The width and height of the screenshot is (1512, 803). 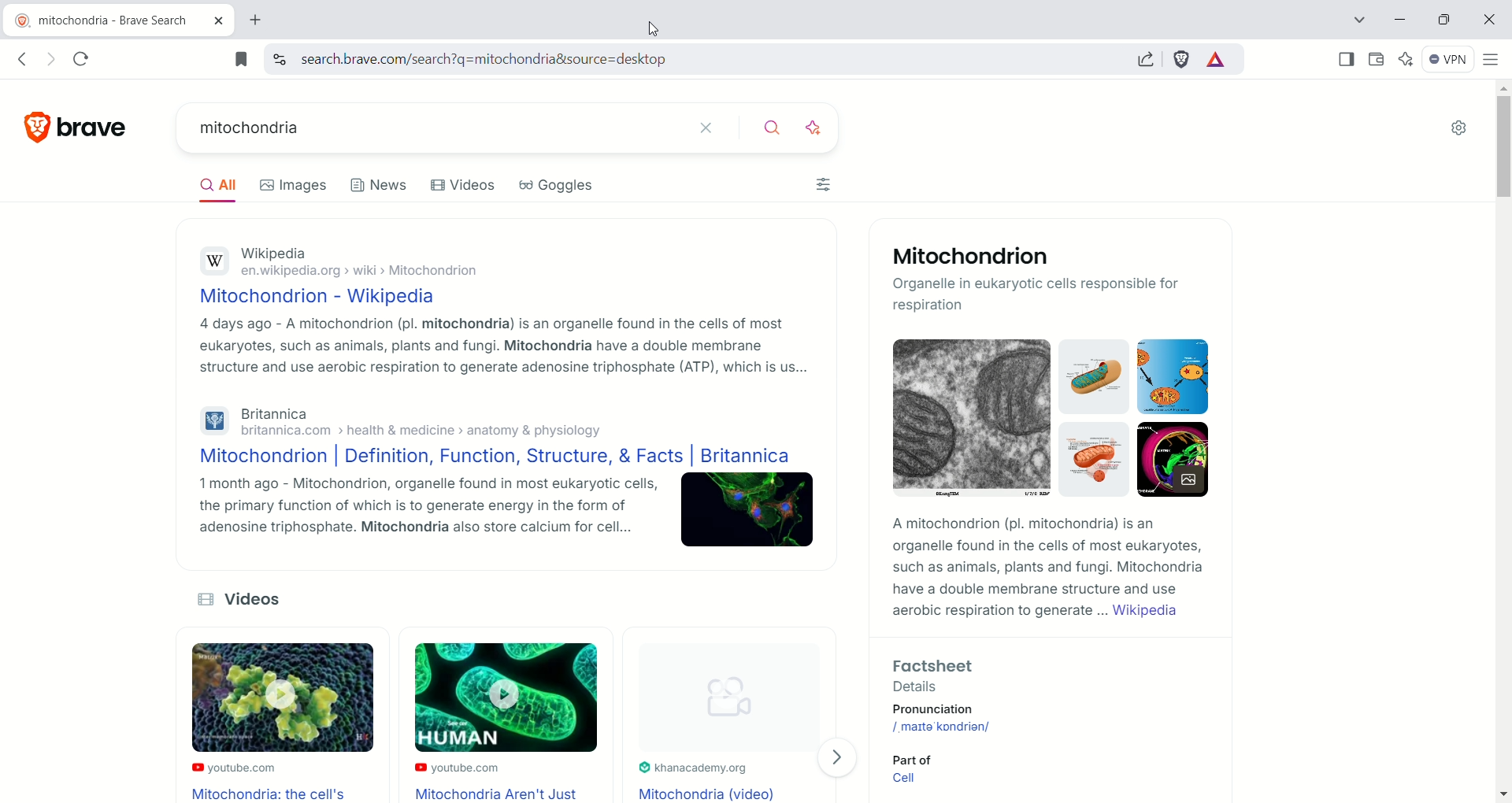 What do you see at coordinates (944, 726) in the screenshot?
I see `/maita kondrian/` at bounding box center [944, 726].